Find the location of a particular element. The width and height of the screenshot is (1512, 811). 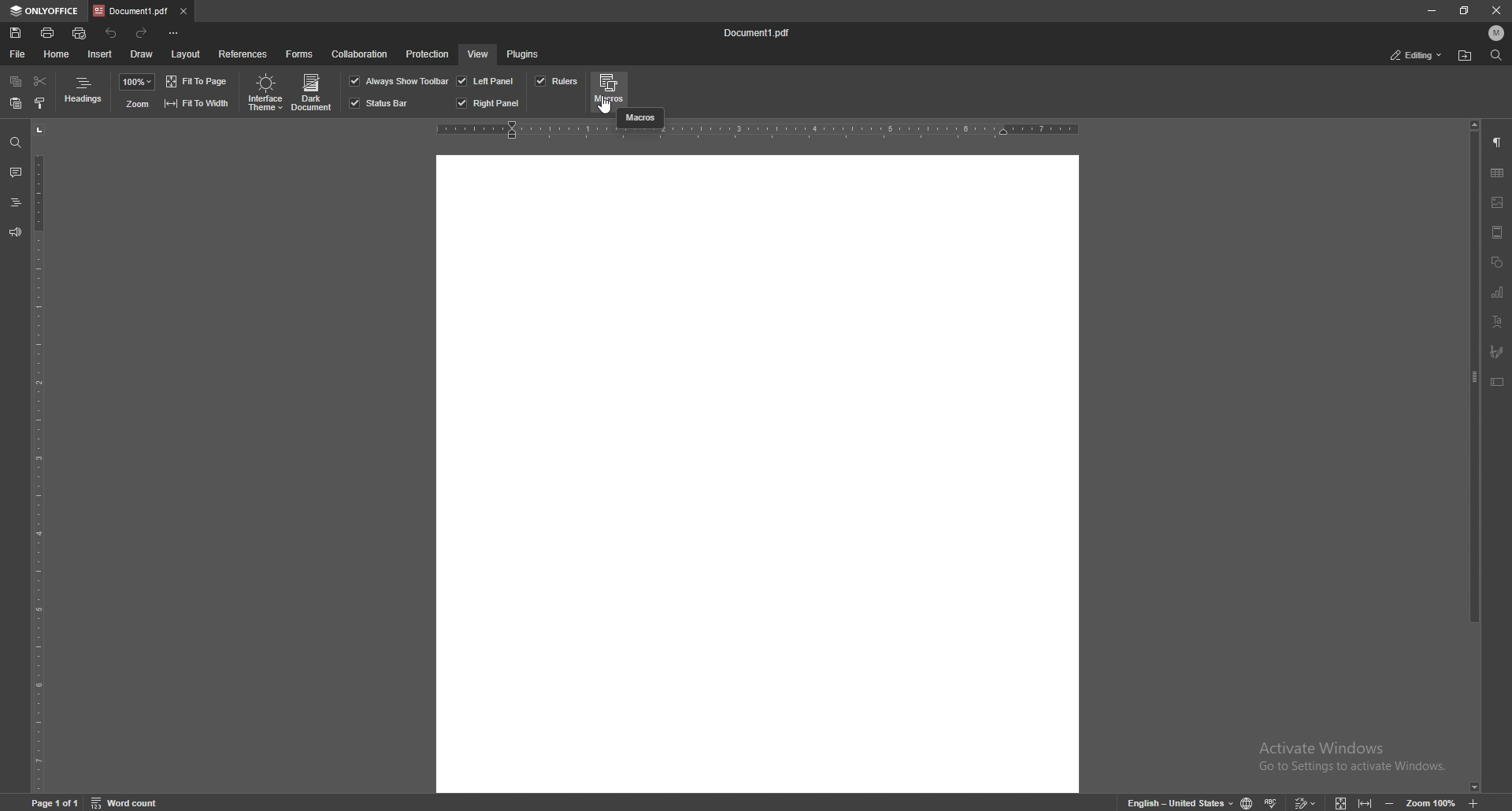

view is located at coordinates (477, 54).